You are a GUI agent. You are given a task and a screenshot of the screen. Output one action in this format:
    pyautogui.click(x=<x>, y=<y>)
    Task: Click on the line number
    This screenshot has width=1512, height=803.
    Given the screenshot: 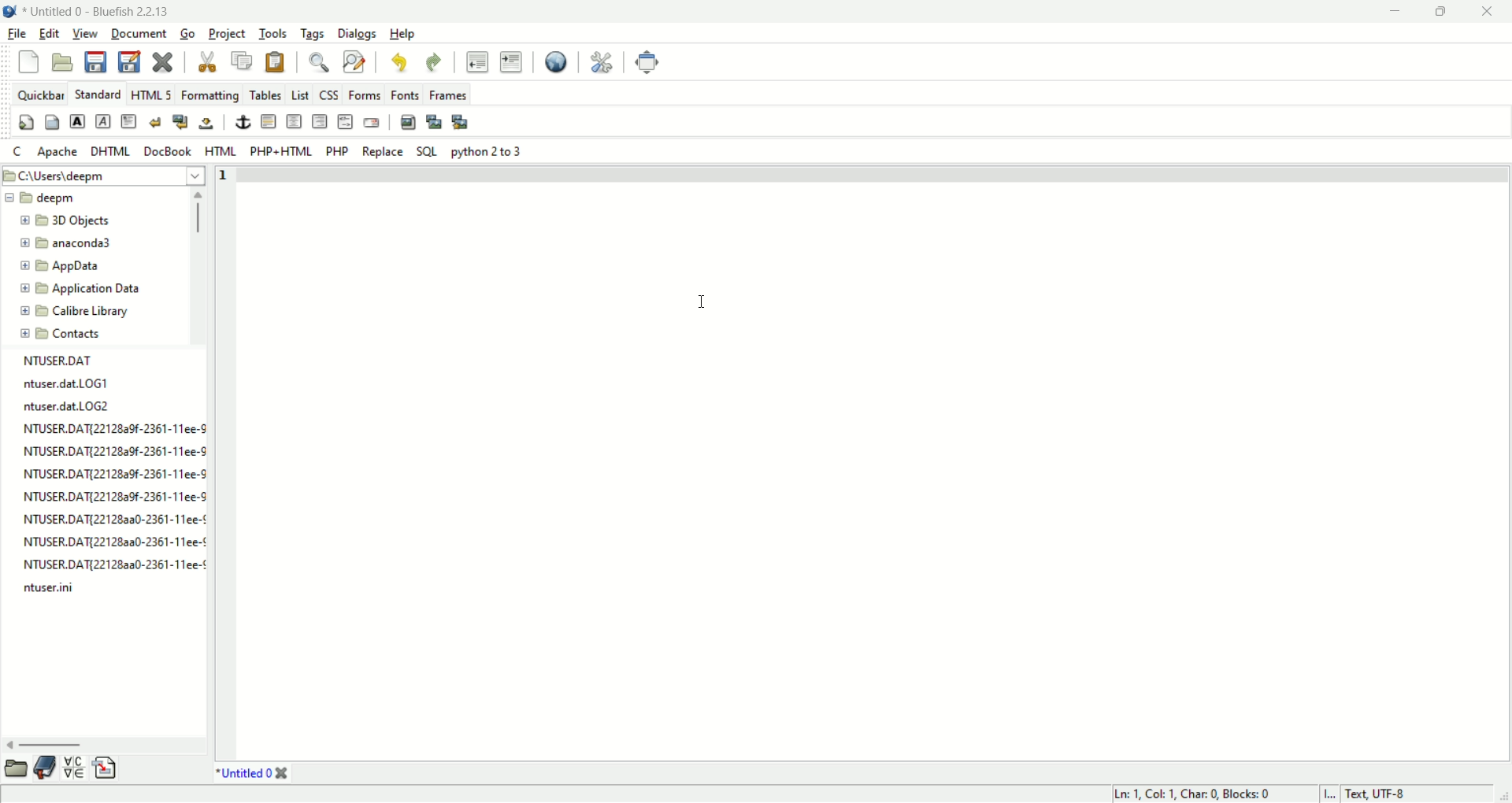 What is the action you would take?
    pyautogui.click(x=224, y=174)
    